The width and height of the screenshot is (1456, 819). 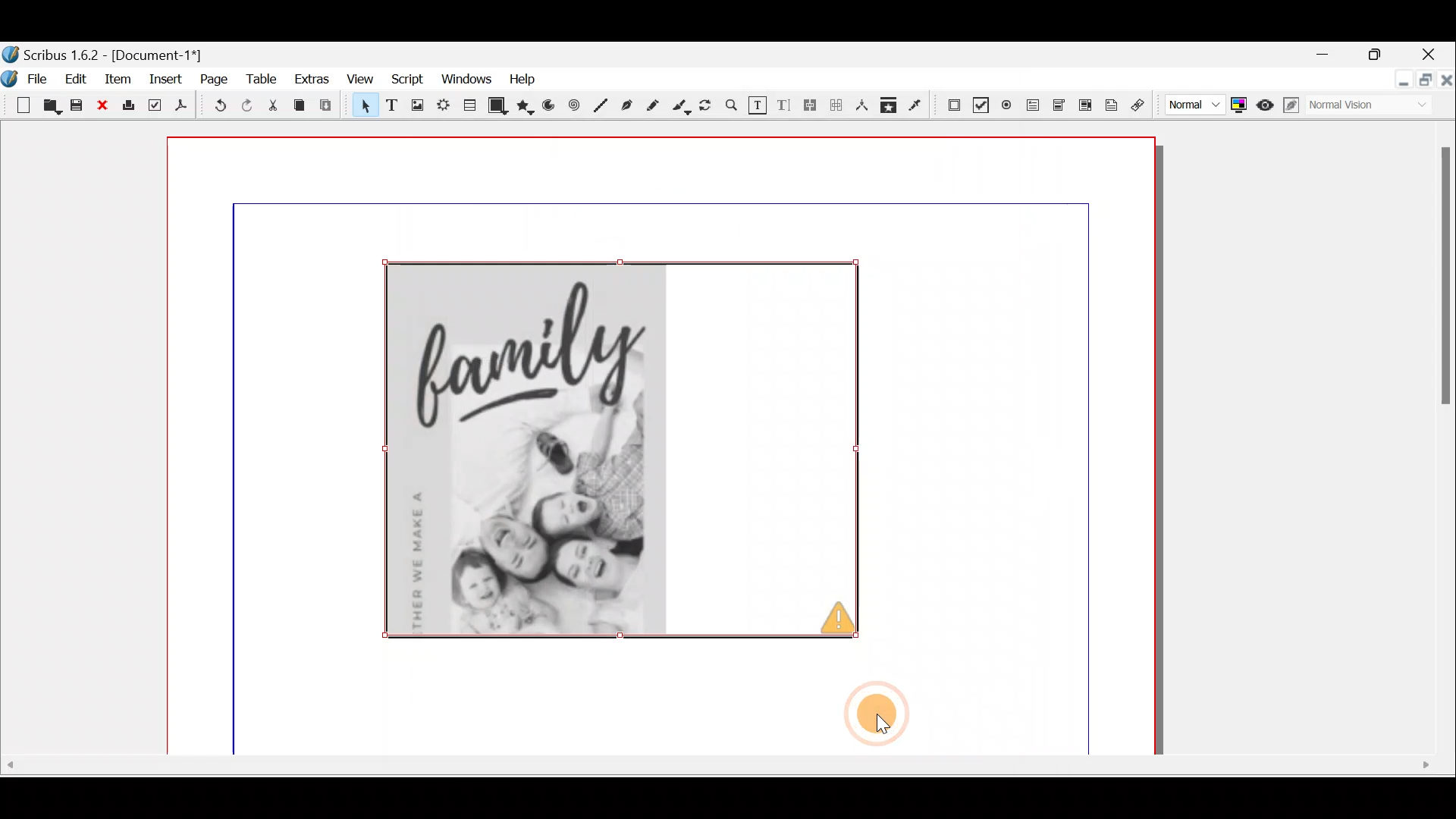 What do you see at coordinates (876, 722) in the screenshot?
I see `Cursor` at bounding box center [876, 722].